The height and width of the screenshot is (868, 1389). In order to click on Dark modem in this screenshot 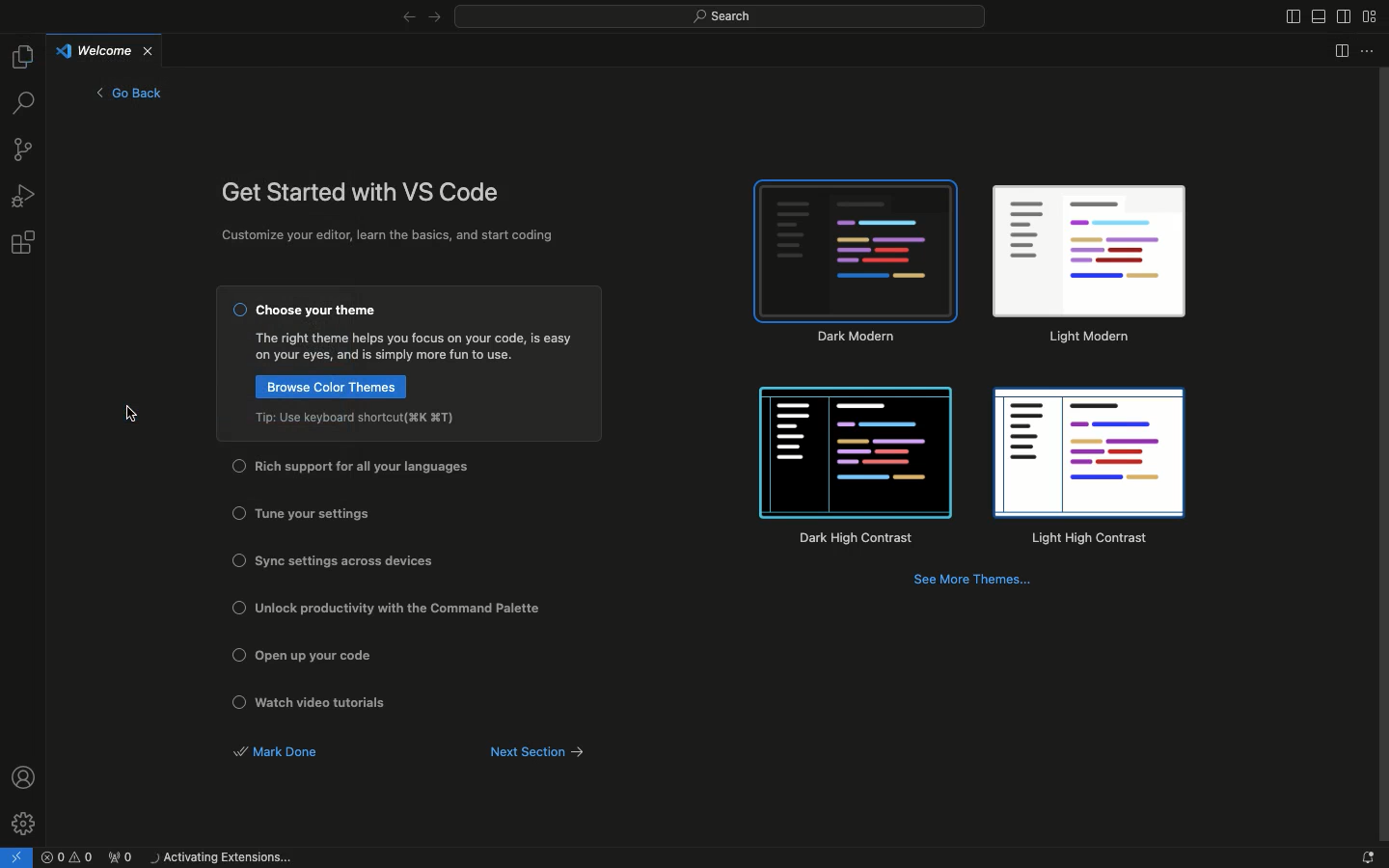, I will do `click(858, 261)`.